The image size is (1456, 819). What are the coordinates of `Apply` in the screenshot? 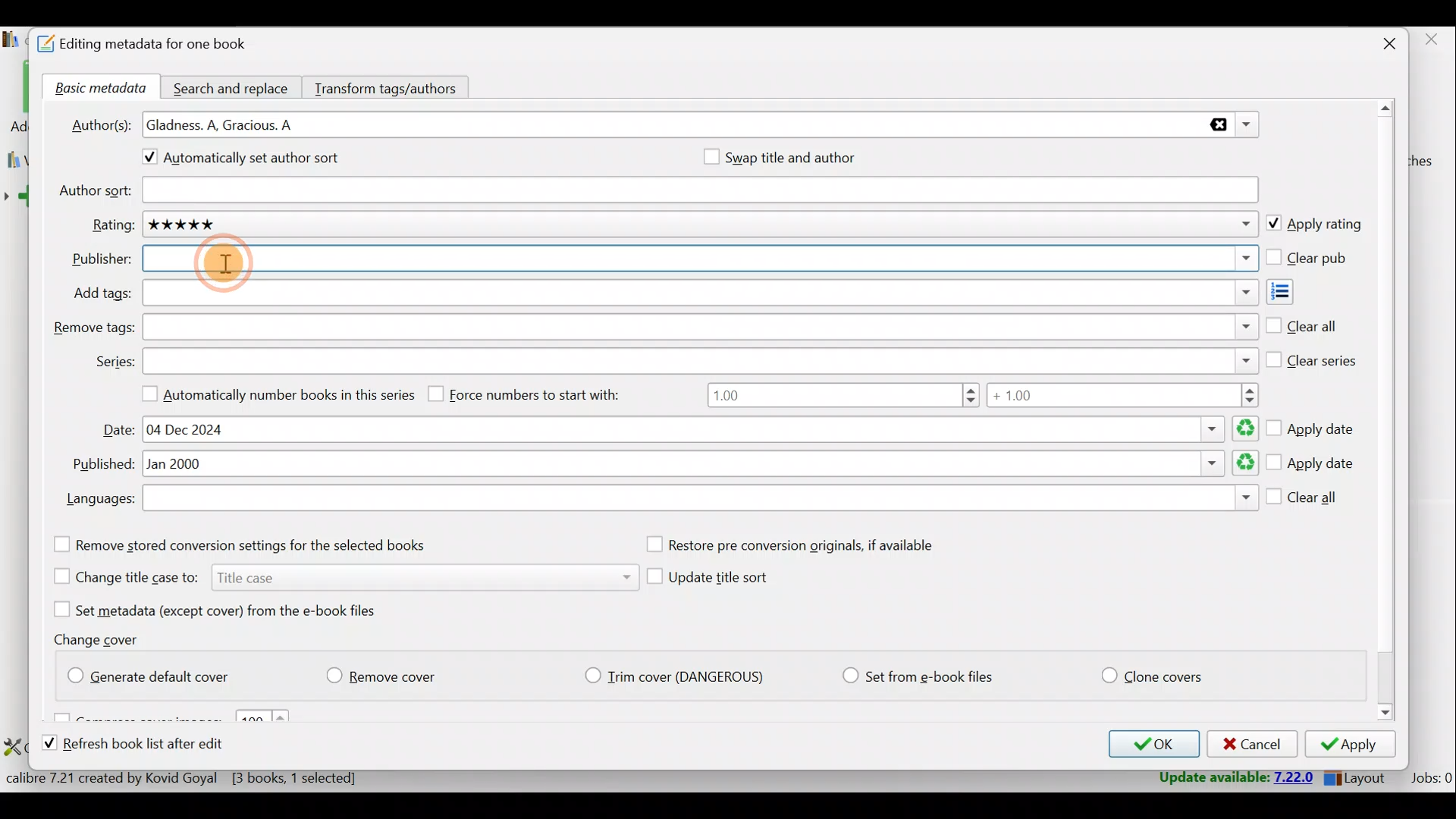 It's located at (1355, 746).